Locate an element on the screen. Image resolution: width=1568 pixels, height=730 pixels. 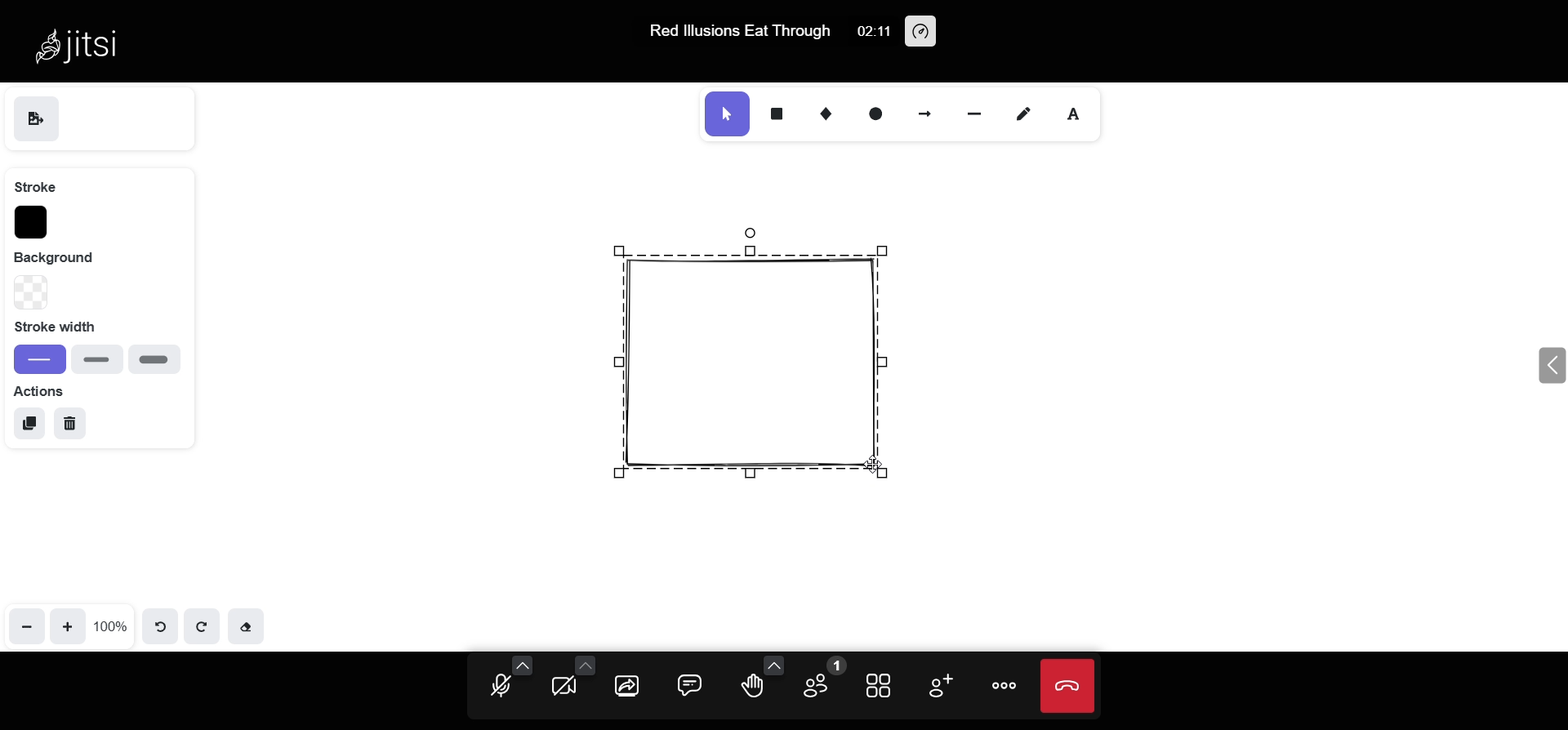
object drawn on whiteboard is located at coordinates (755, 367).